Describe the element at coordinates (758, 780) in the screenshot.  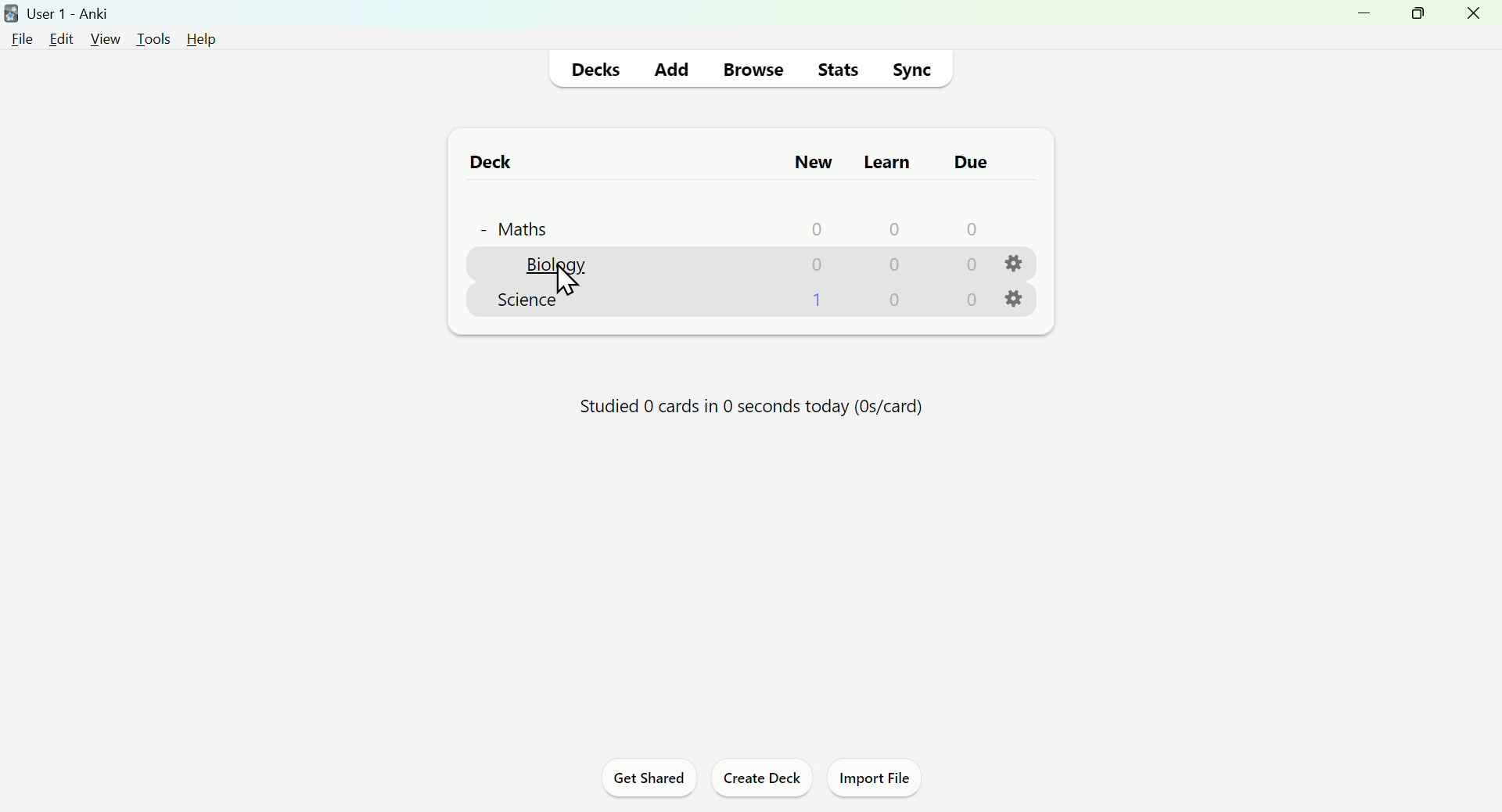
I see `Create Deck` at that location.